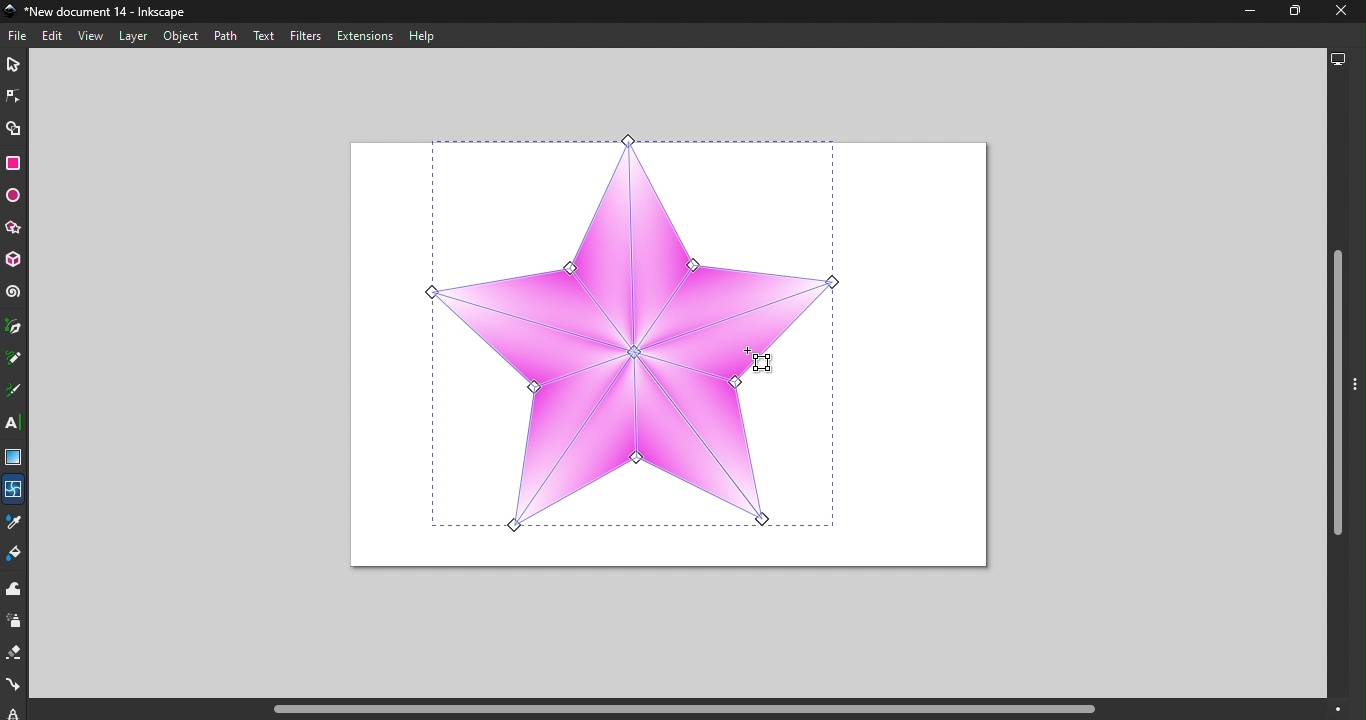  What do you see at coordinates (1341, 60) in the screenshot?
I see `Display options` at bounding box center [1341, 60].